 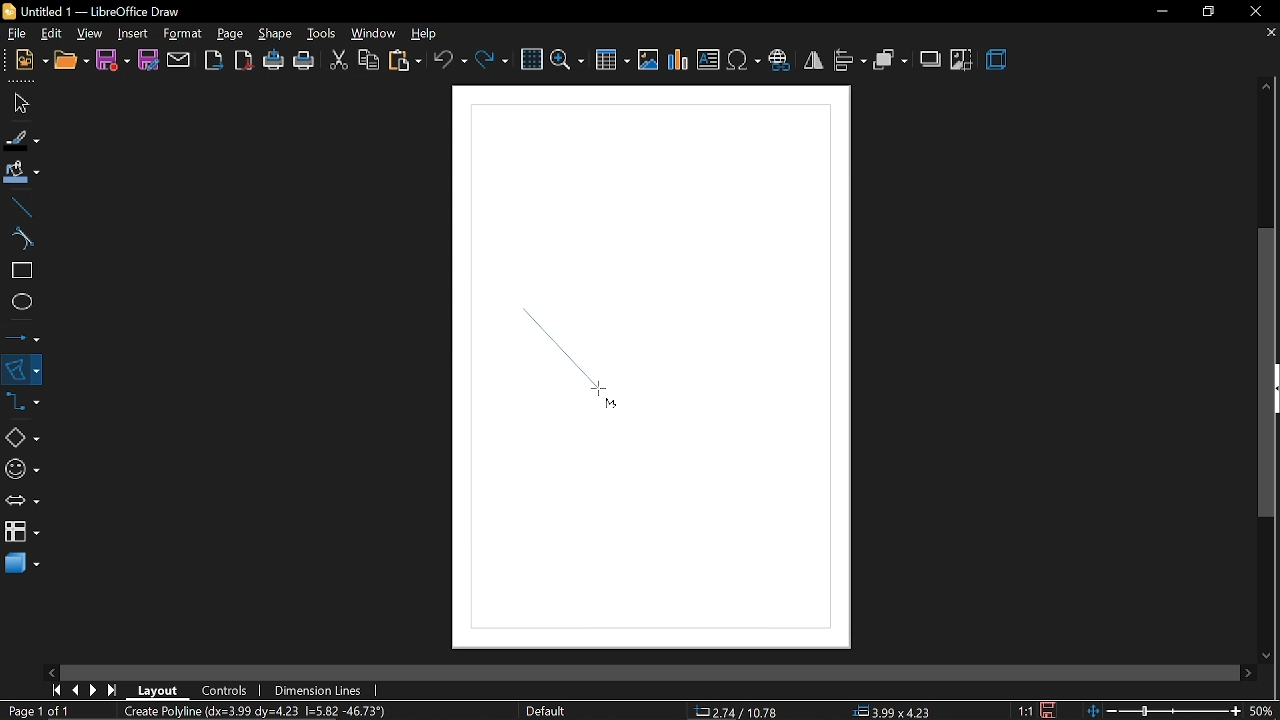 I want to click on attach, so click(x=178, y=60).